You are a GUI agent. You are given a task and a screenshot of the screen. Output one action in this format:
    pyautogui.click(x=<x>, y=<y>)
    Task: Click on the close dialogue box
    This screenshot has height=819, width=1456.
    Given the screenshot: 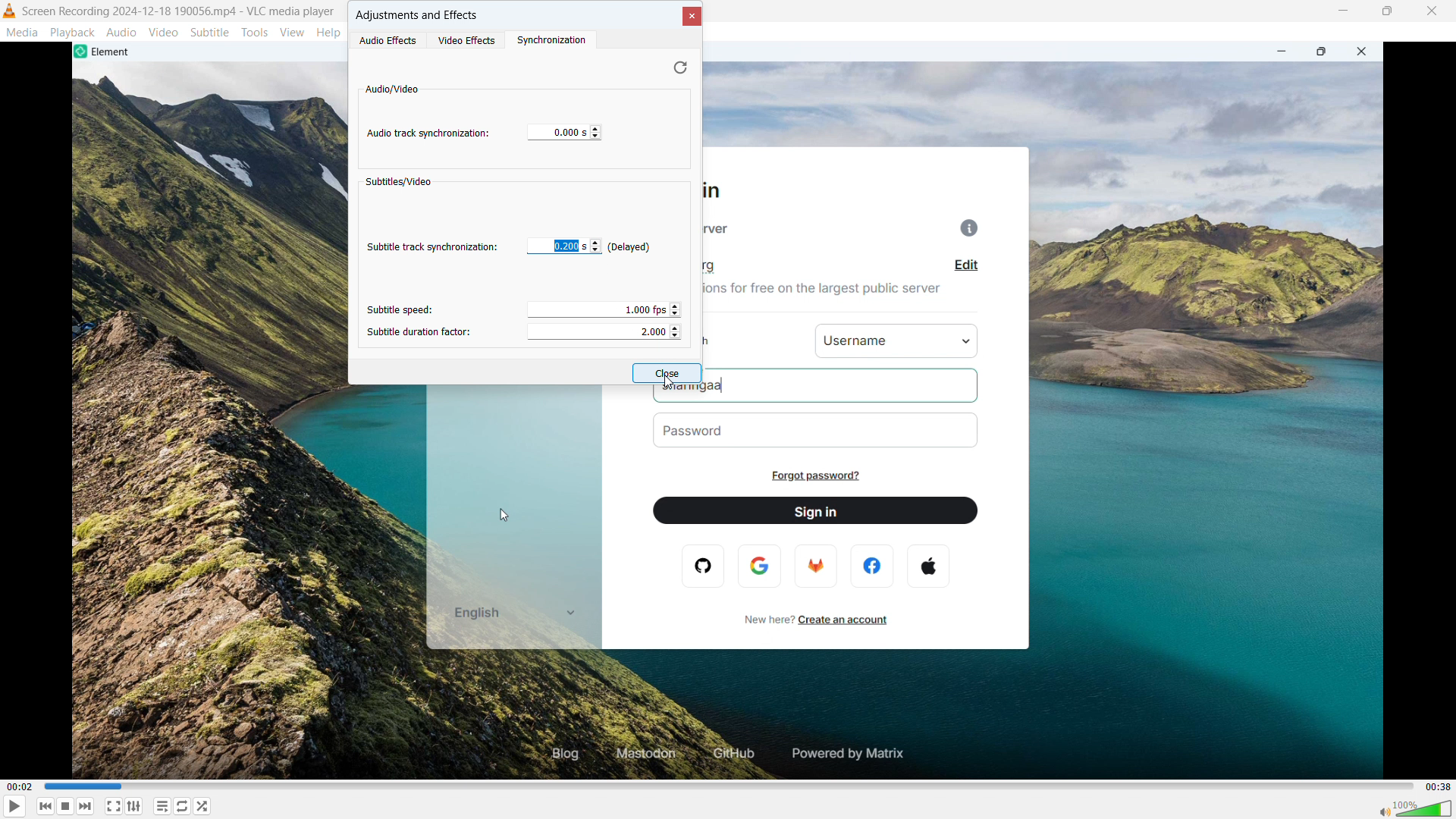 What is the action you would take?
    pyautogui.click(x=693, y=15)
    